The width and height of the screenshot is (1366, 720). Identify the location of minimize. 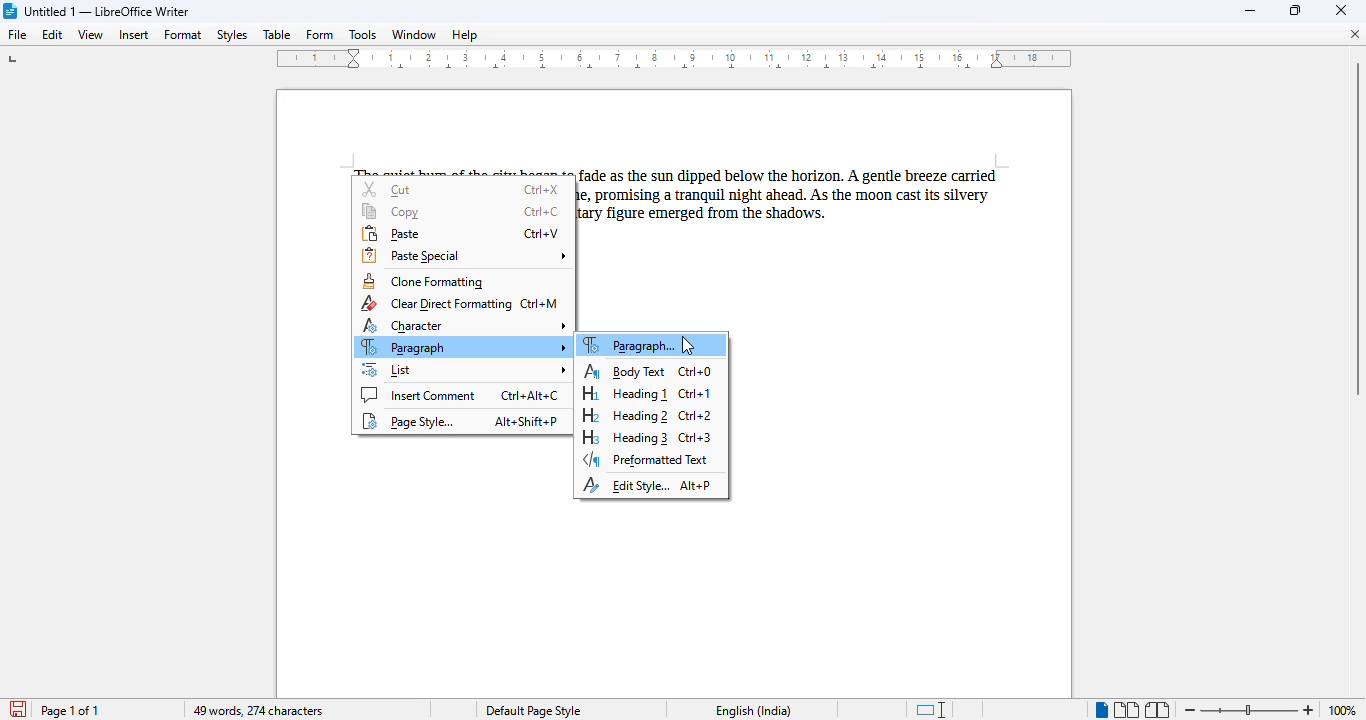
(1251, 12).